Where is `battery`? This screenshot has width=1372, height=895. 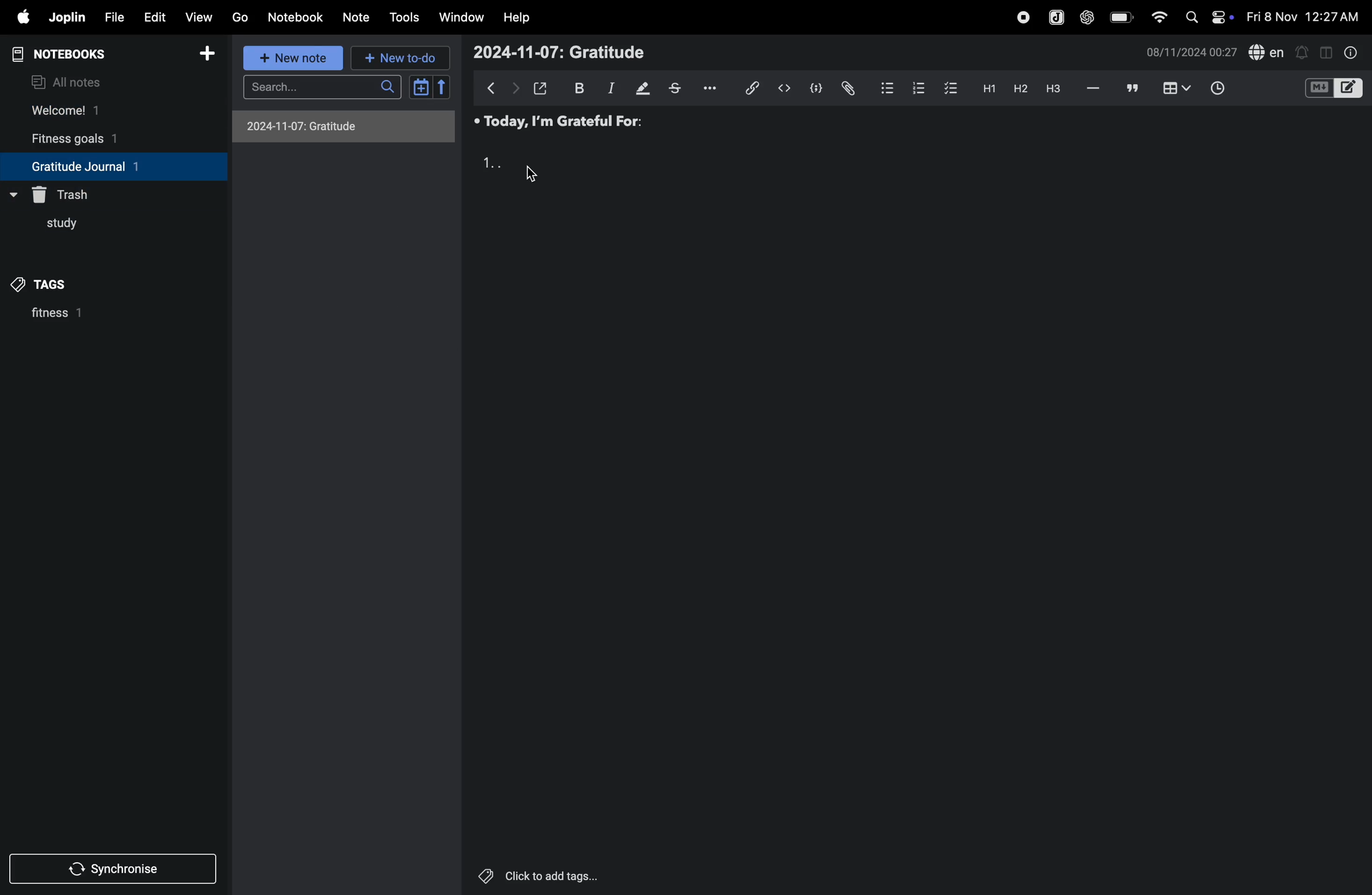
battery is located at coordinates (1118, 17).